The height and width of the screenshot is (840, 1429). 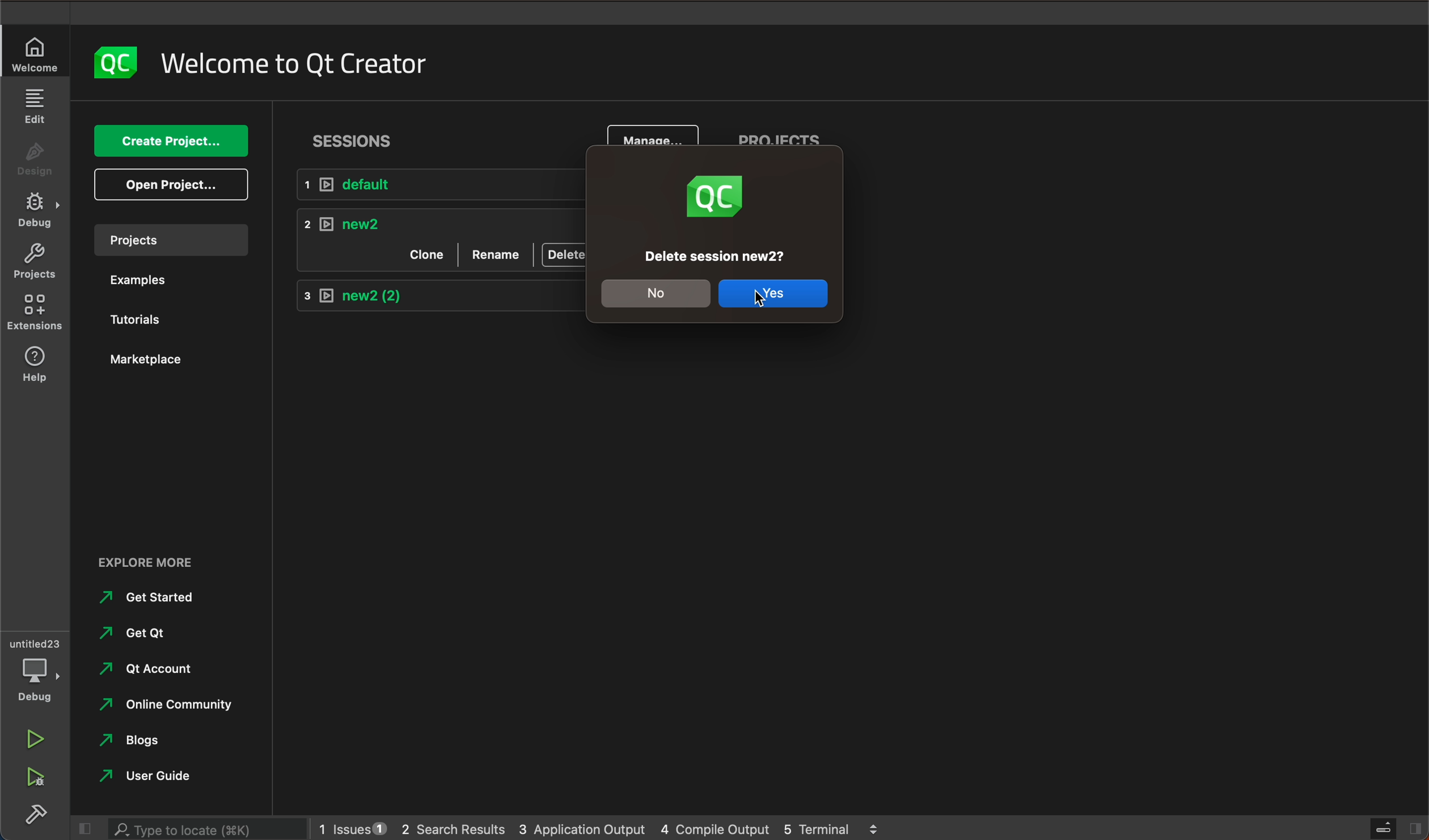 What do you see at coordinates (160, 281) in the screenshot?
I see `examples` at bounding box center [160, 281].